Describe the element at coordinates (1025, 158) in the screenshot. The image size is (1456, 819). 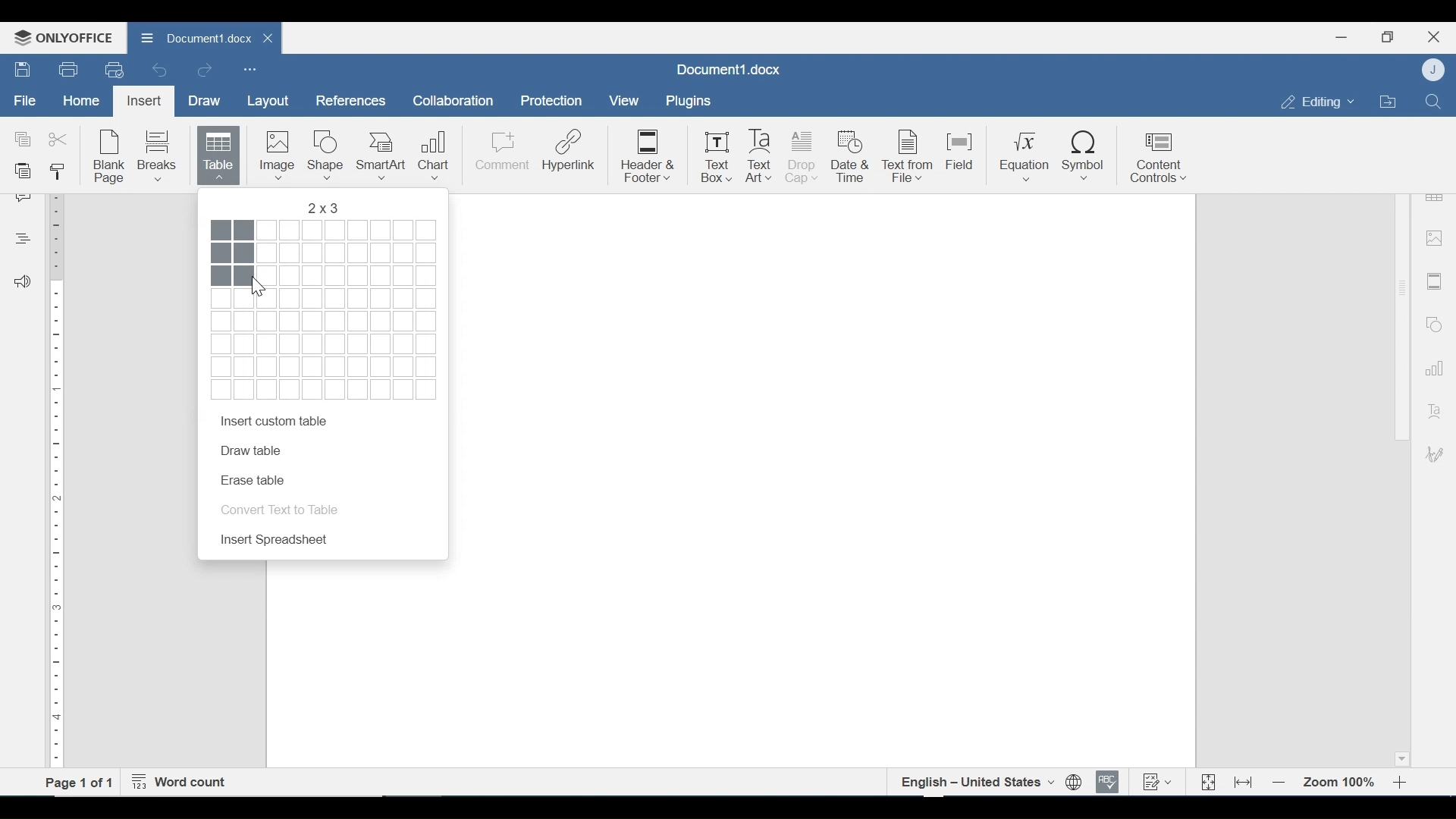
I see `Equation` at that location.